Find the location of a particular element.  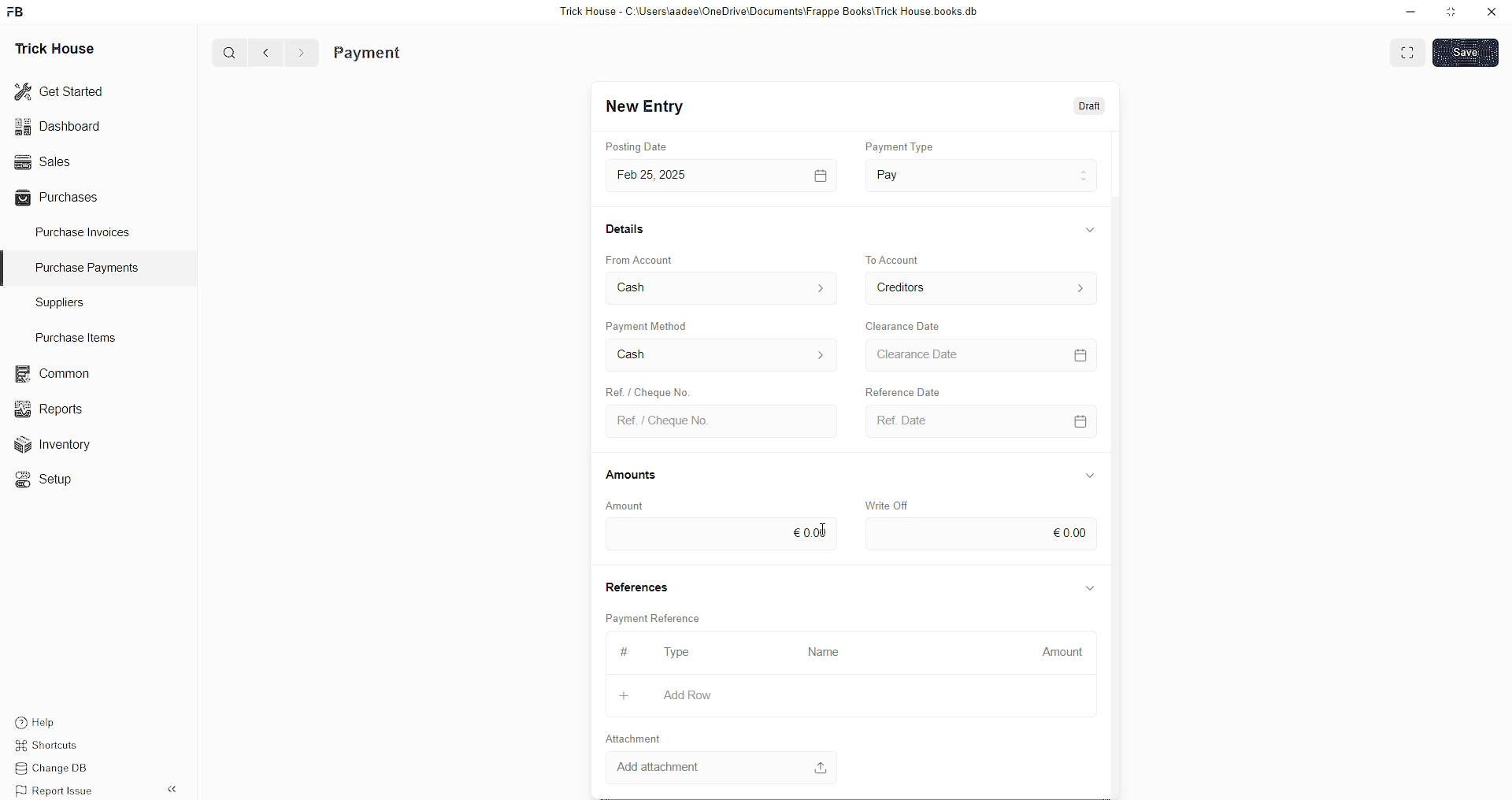

Reports is located at coordinates (54, 407).